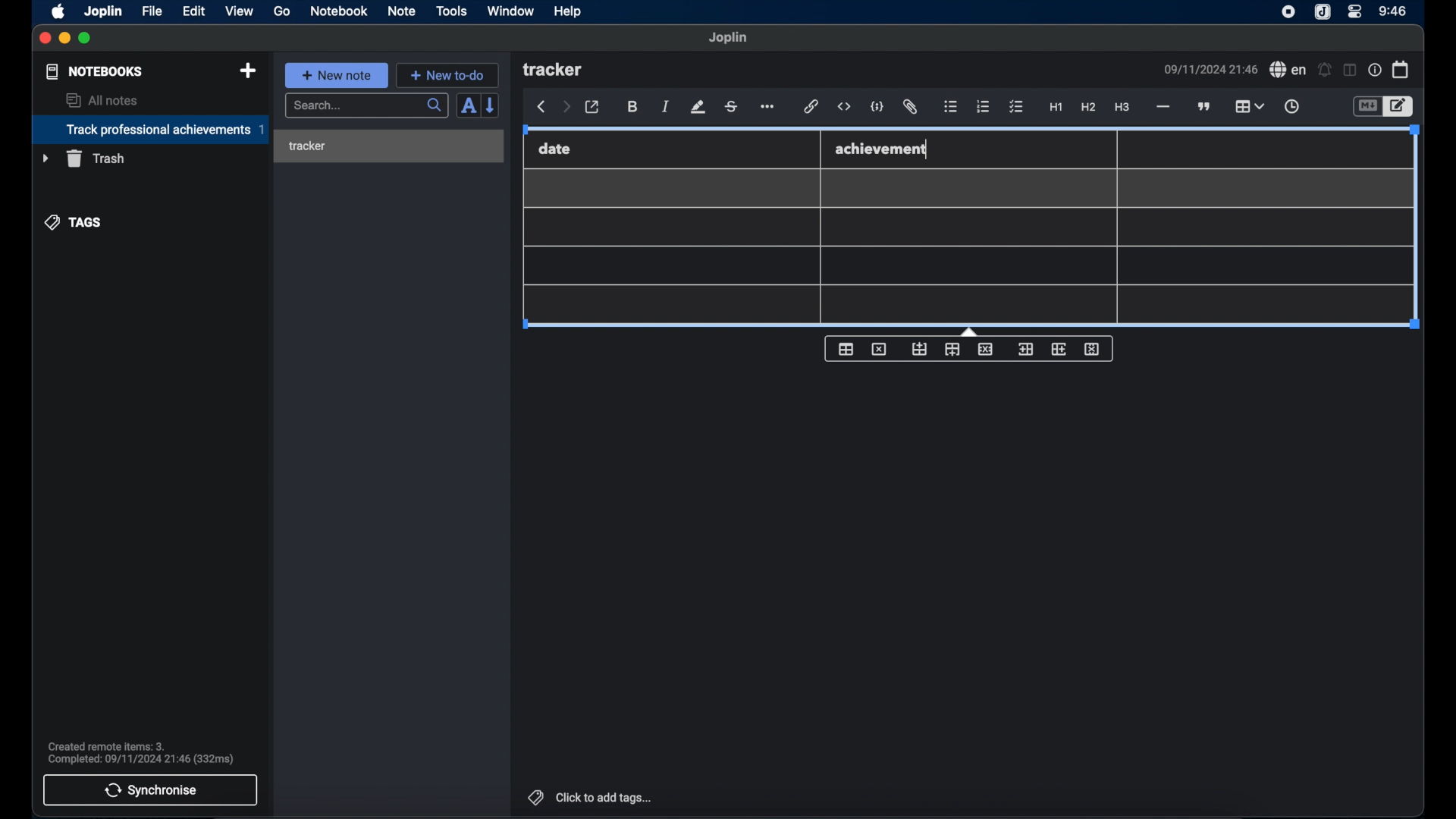 Image resolution: width=1456 pixels, height=819 pixels. What do you see at coordinates (732, 106) in the screenshot?
I see `strikethrough` at bounding box center [732, 106].